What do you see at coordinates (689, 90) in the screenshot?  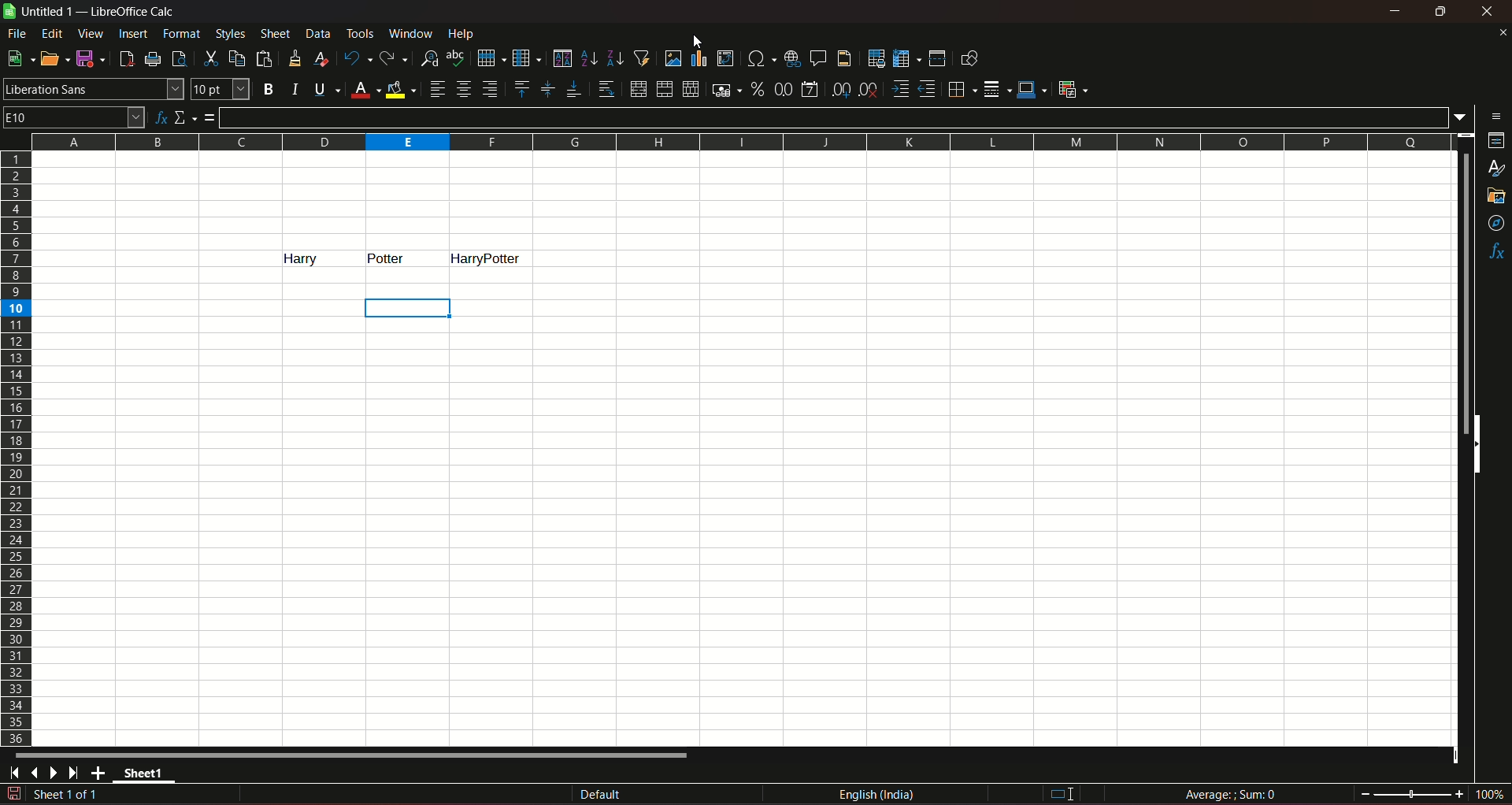 I see `unmerge` at bounding box center [689, 90].